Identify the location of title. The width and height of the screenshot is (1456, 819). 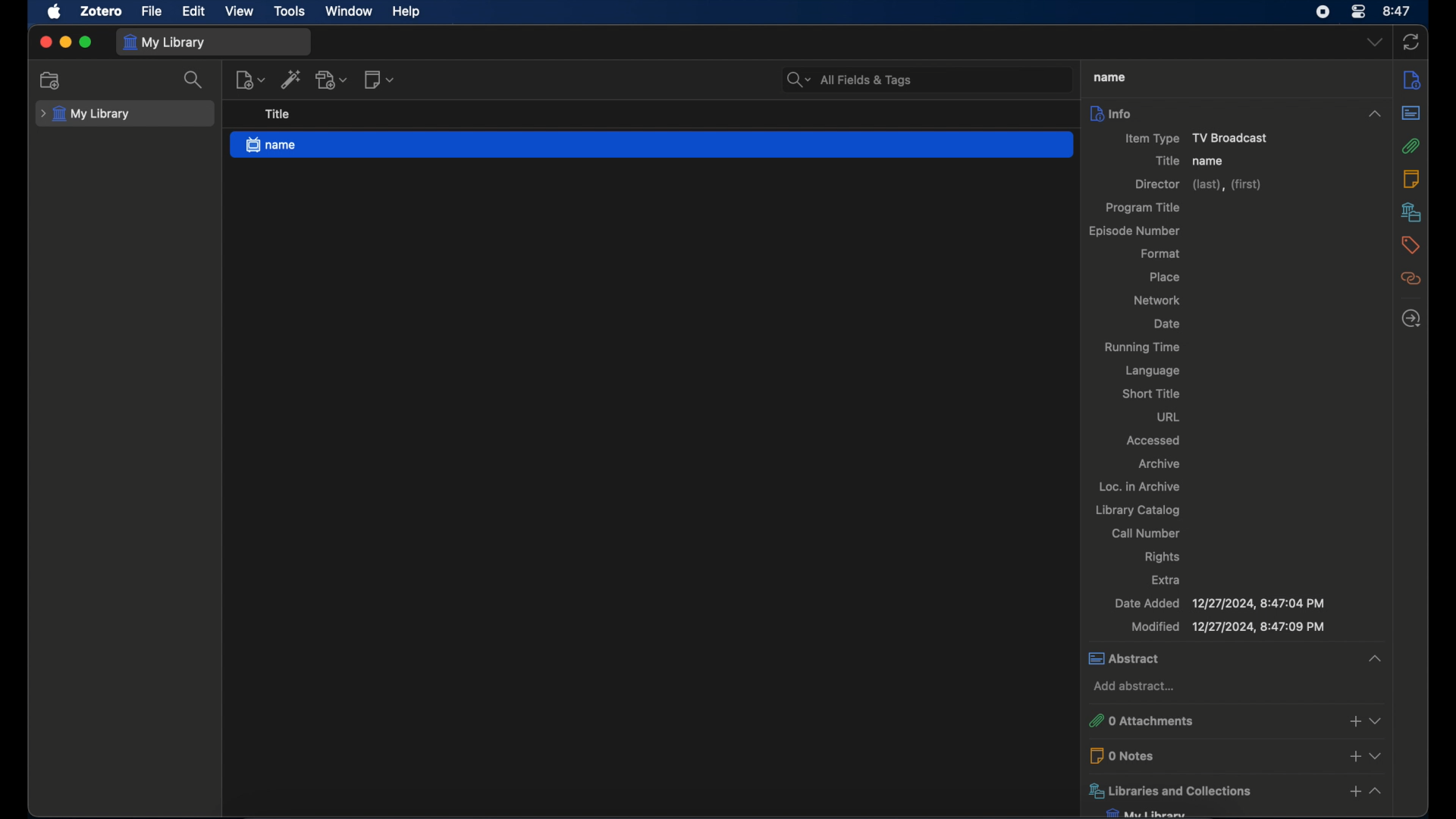
(278, 115).